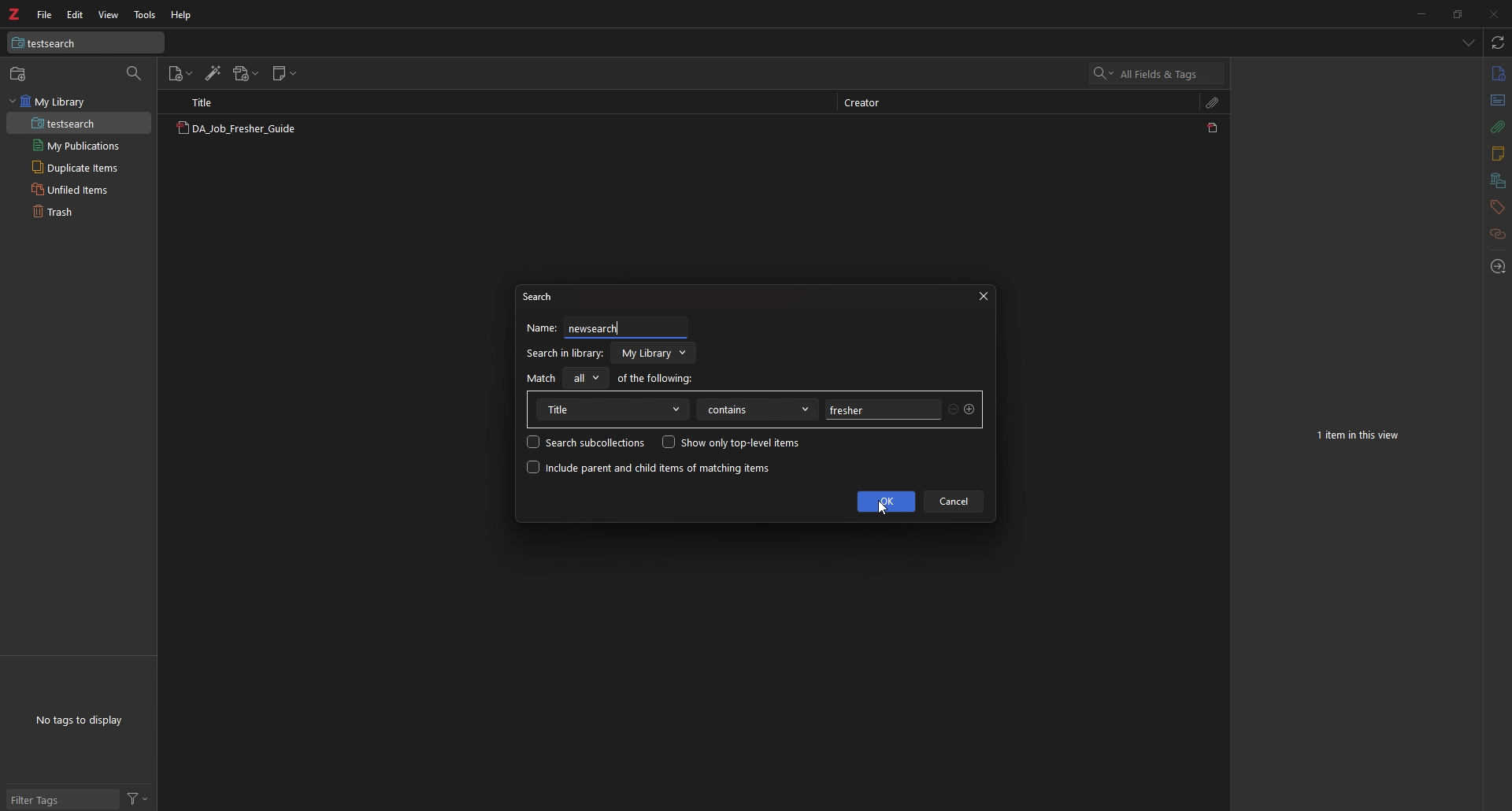 The width and height of the screenshot is (1512, 811). I want to click on show only top level items, so click(731, 442).